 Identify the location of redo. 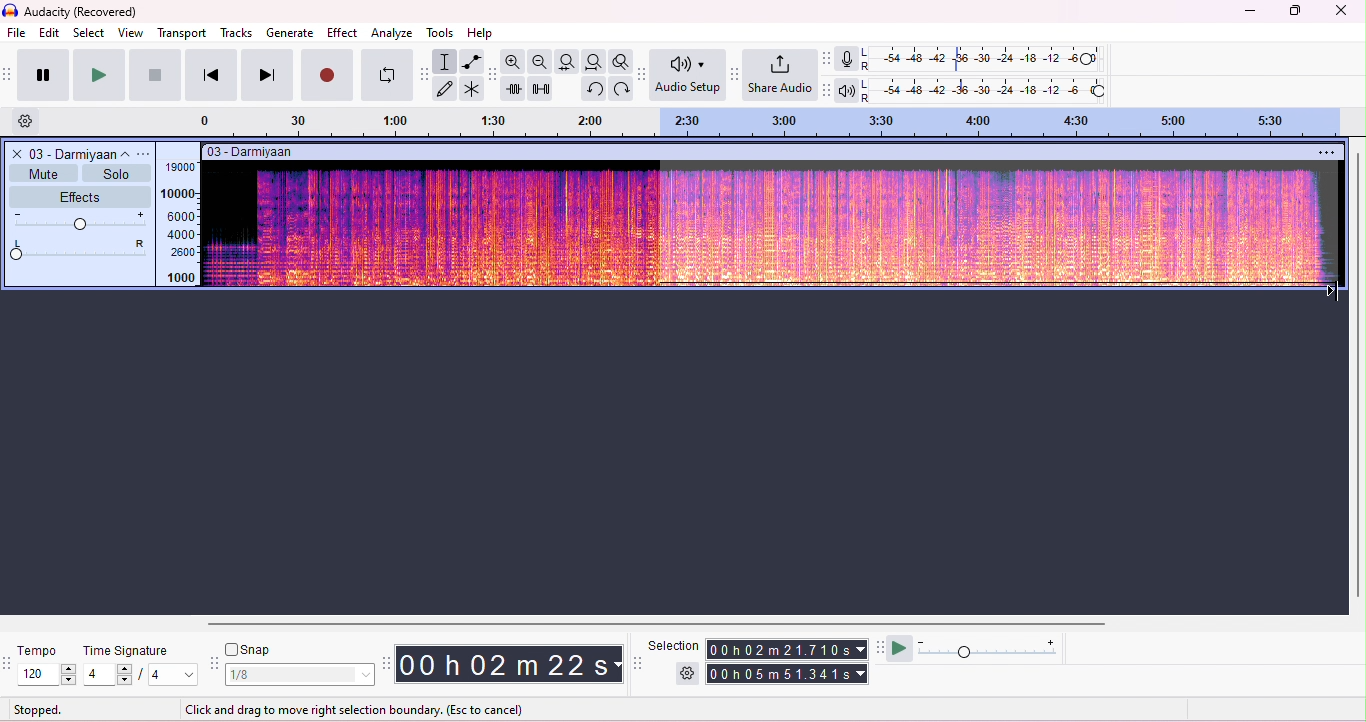
(619, 88).